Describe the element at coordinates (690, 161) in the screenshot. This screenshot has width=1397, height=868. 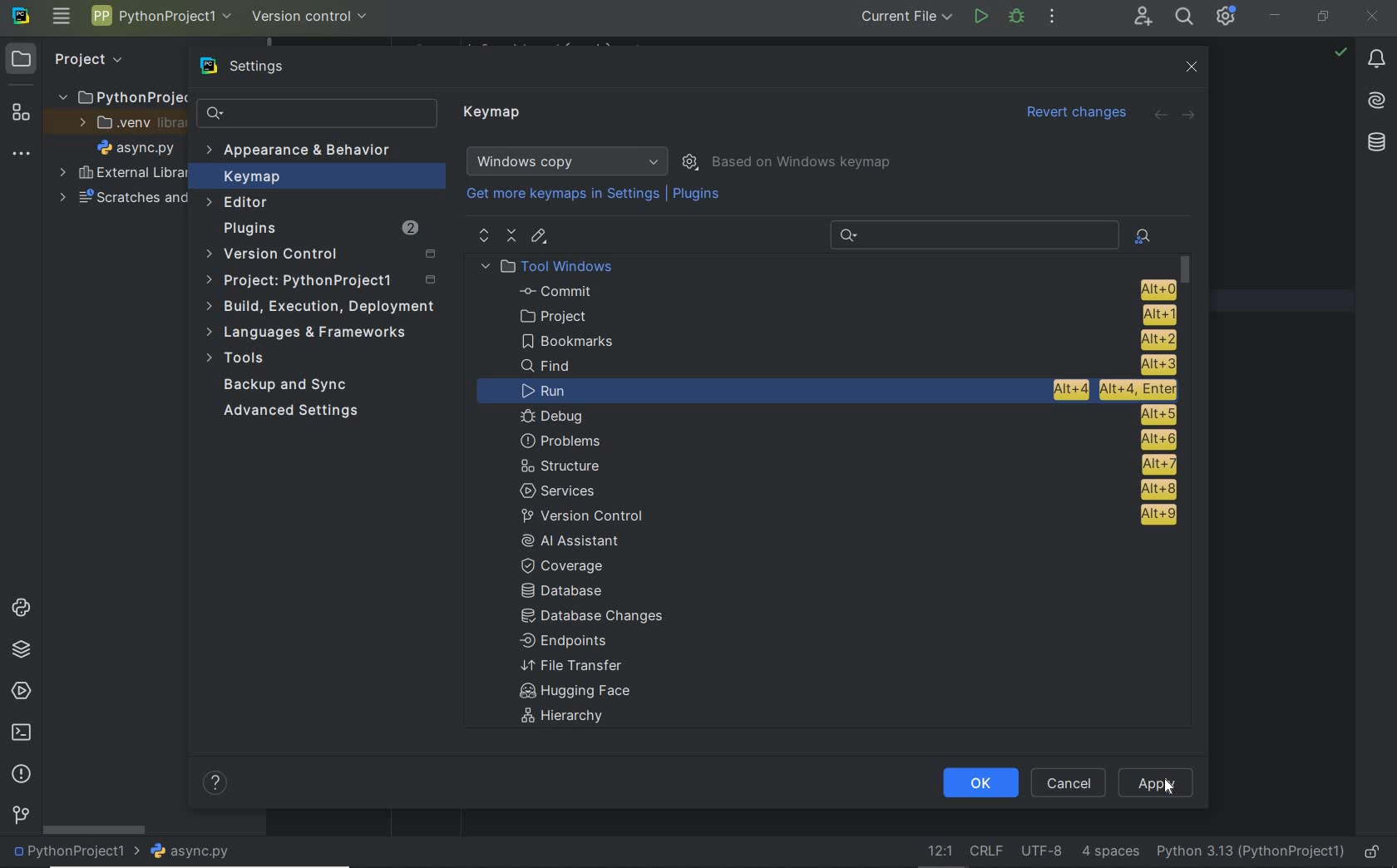
I see `show scheme actions` at that location.